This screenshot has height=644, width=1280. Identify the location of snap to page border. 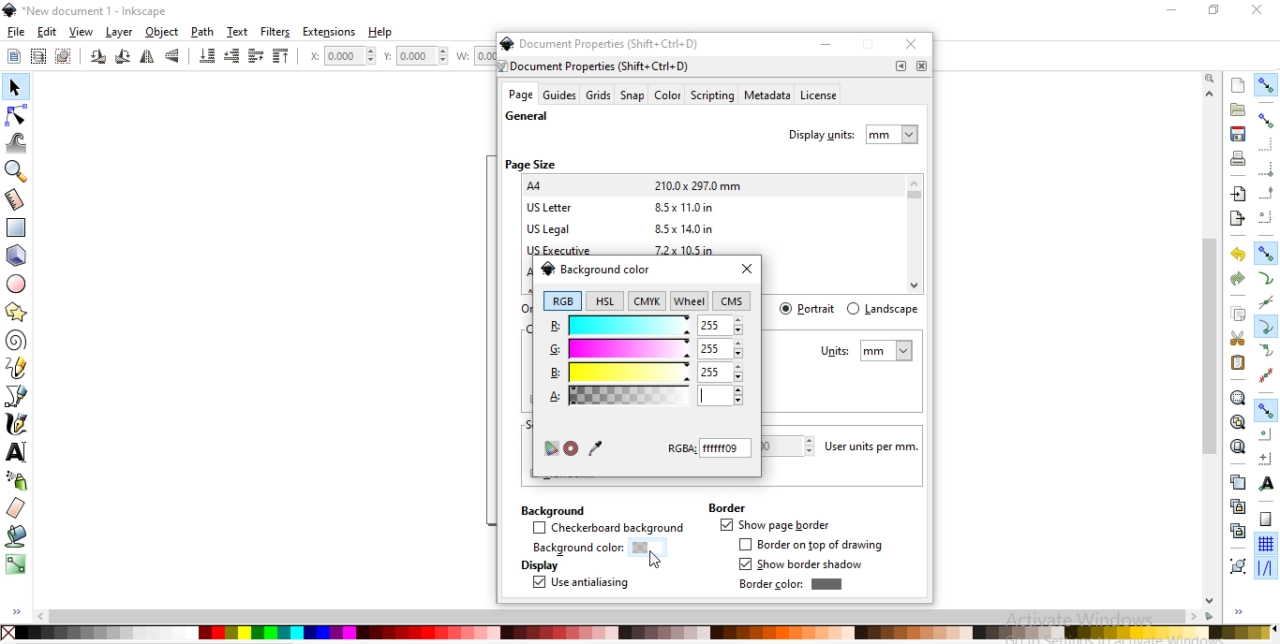
(1266, 520).